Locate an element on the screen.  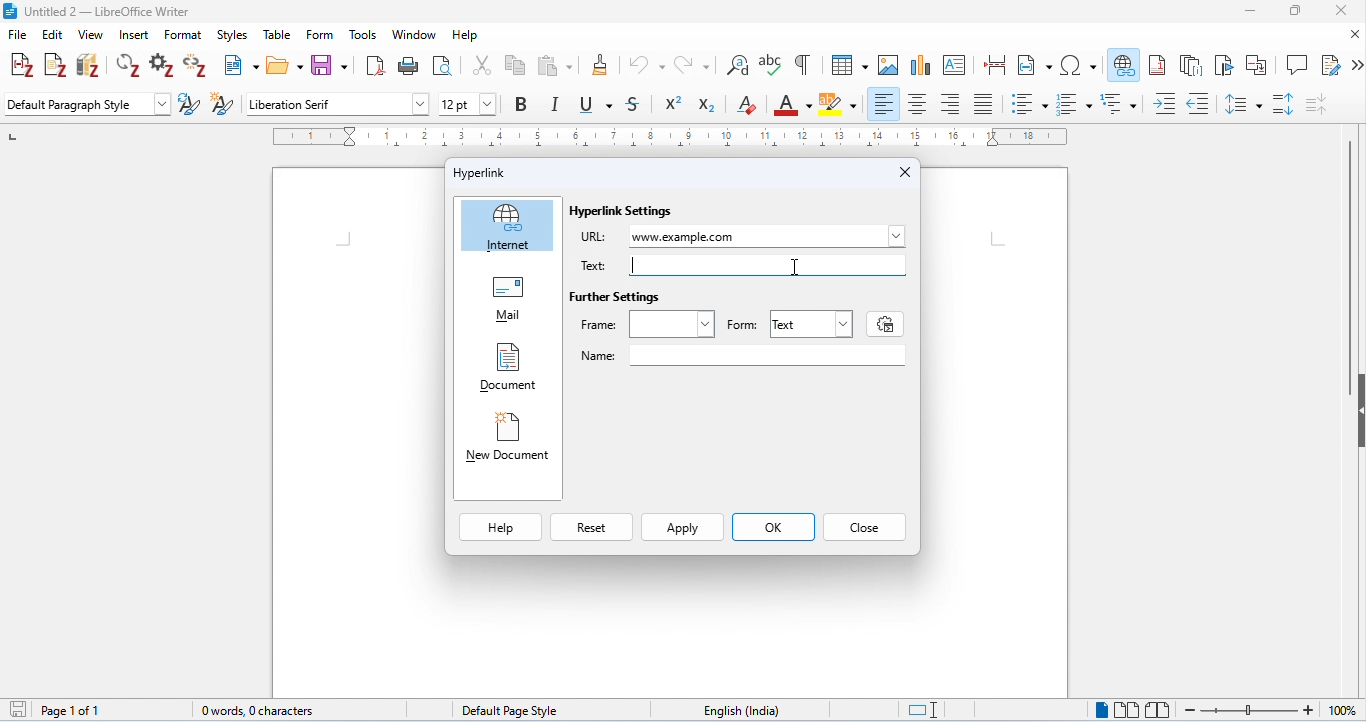
insert cross reference is located at coordinates (1258, 65).